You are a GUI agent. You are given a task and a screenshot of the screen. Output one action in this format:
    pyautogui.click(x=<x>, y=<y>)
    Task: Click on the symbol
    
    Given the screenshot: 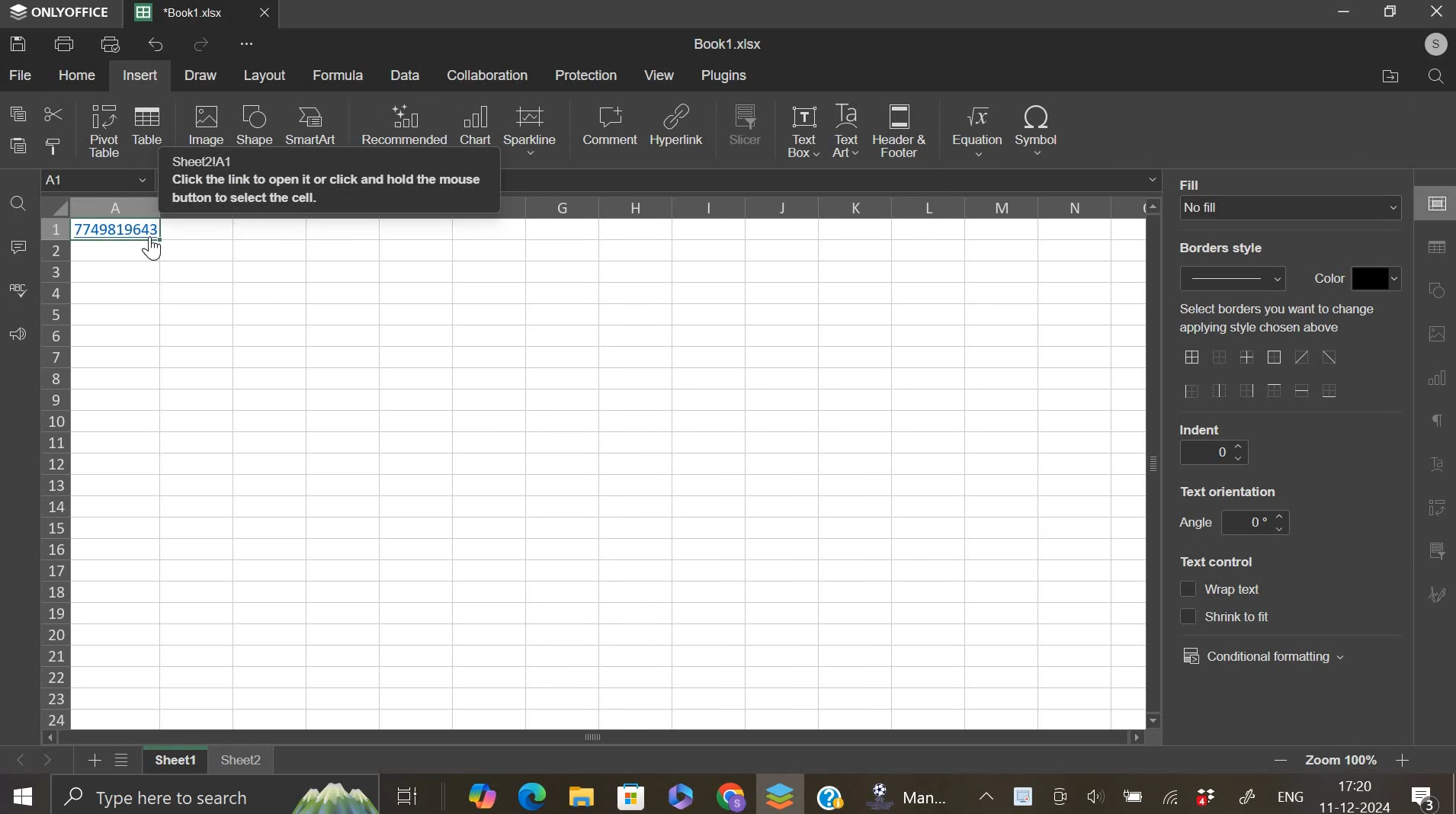 What is the action you would take?
    pyautogui.click(x=1037, y=128)
    